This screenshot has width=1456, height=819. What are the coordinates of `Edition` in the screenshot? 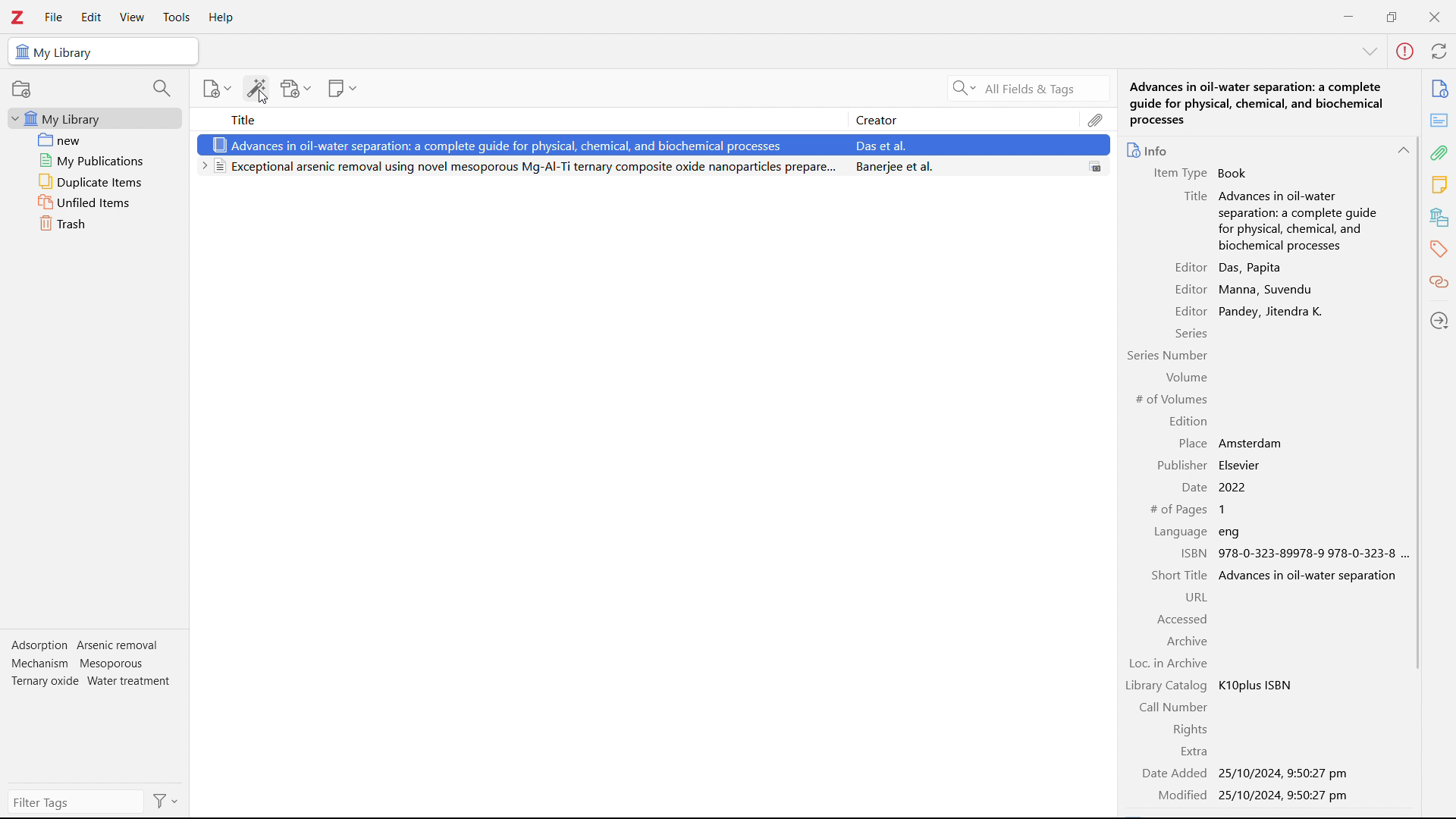 It's located at (1190, 421).